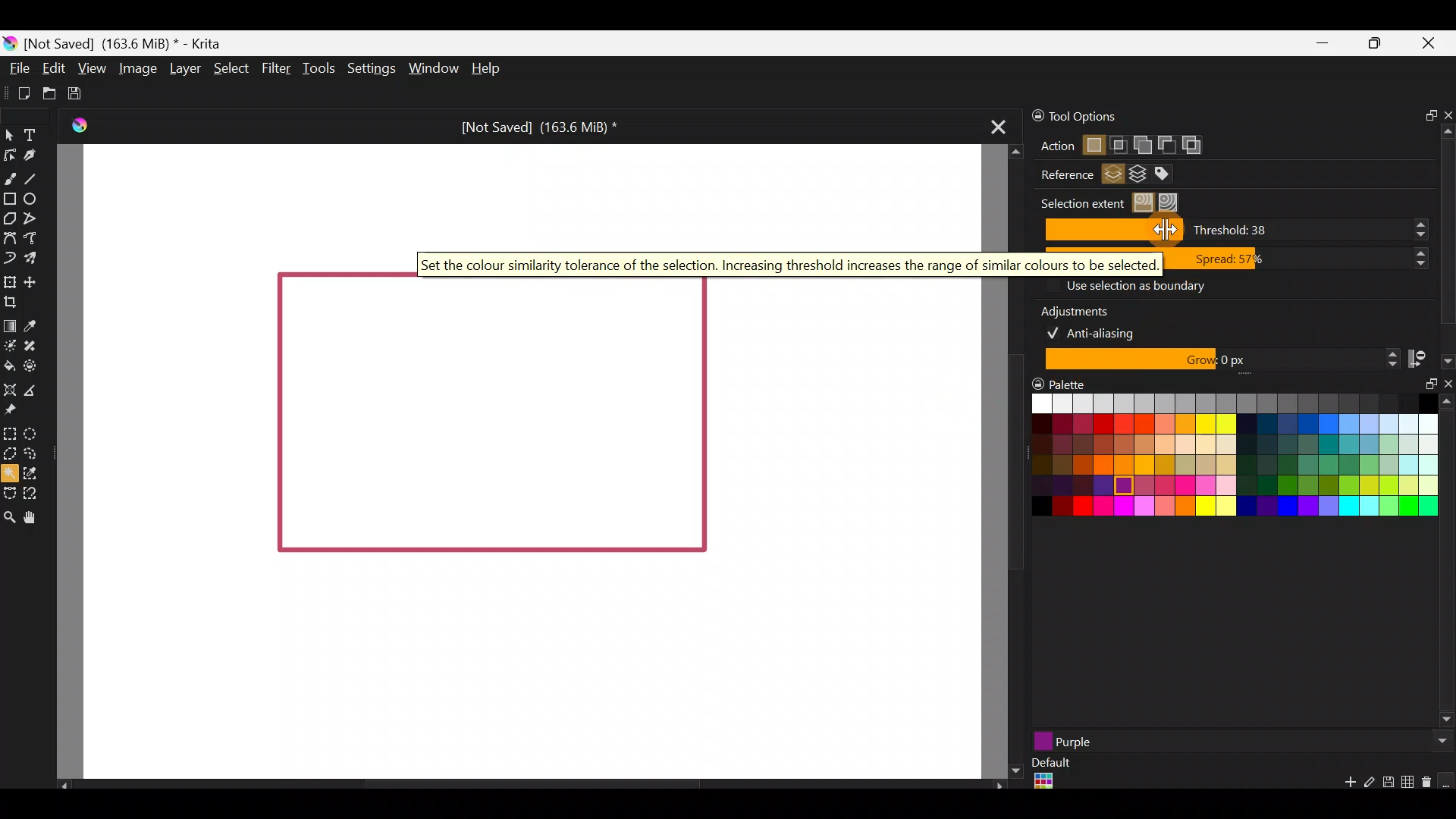 The height and width of the screenshot is (819, 1456). I want to click on Threshold, so click(1241, 229).